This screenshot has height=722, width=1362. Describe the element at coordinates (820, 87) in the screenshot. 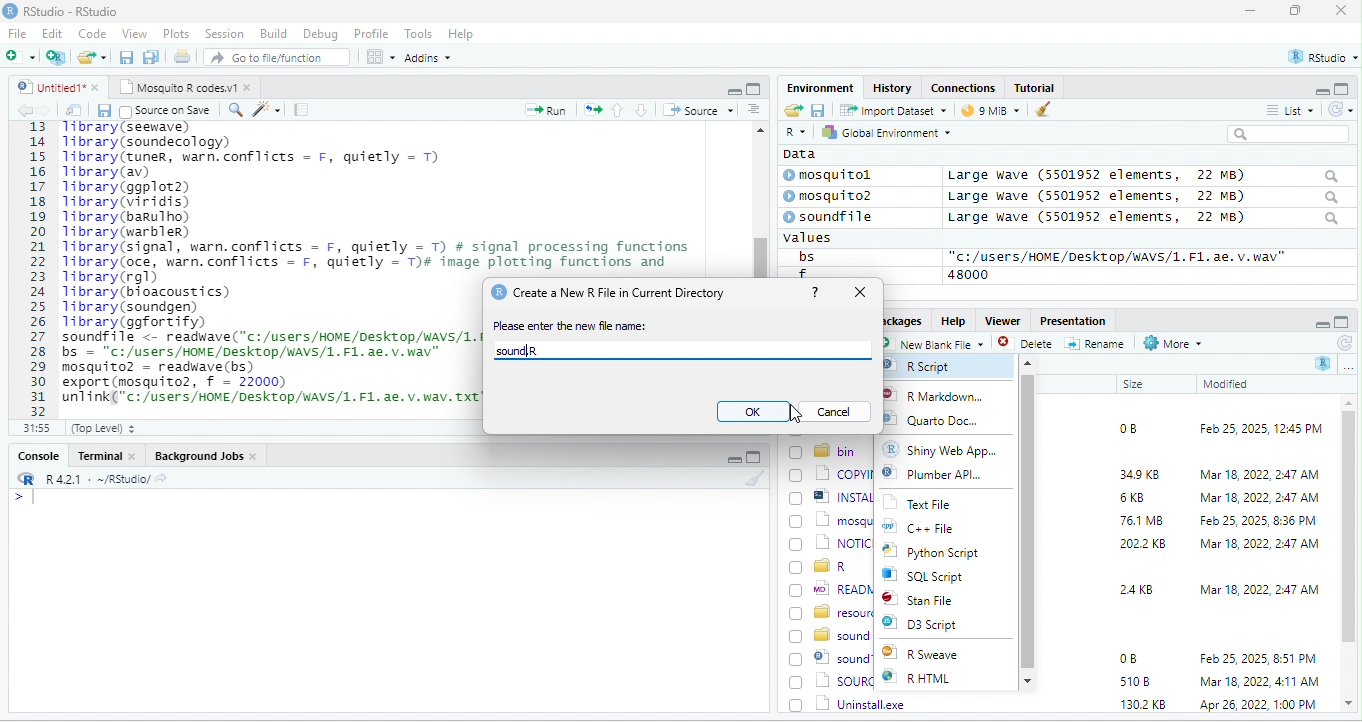

I see `Environment` at that location.